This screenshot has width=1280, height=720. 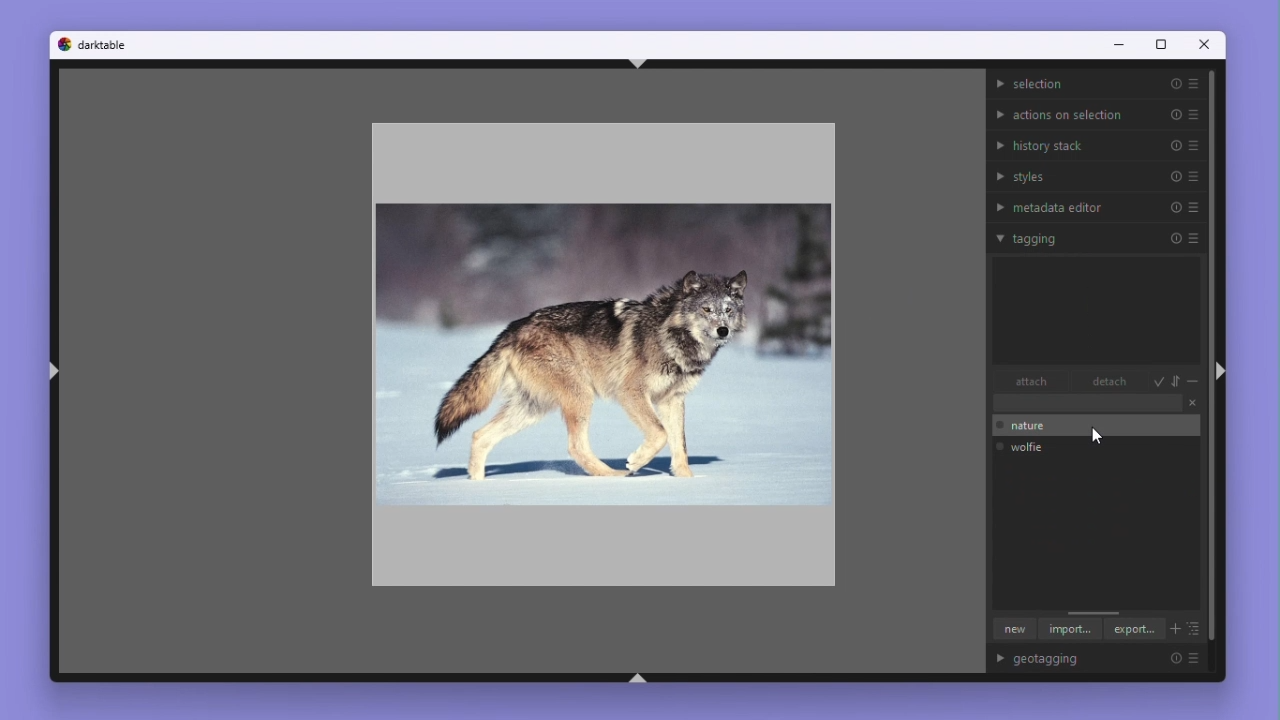 I want to click on Close, so click(x=1206, y=47).